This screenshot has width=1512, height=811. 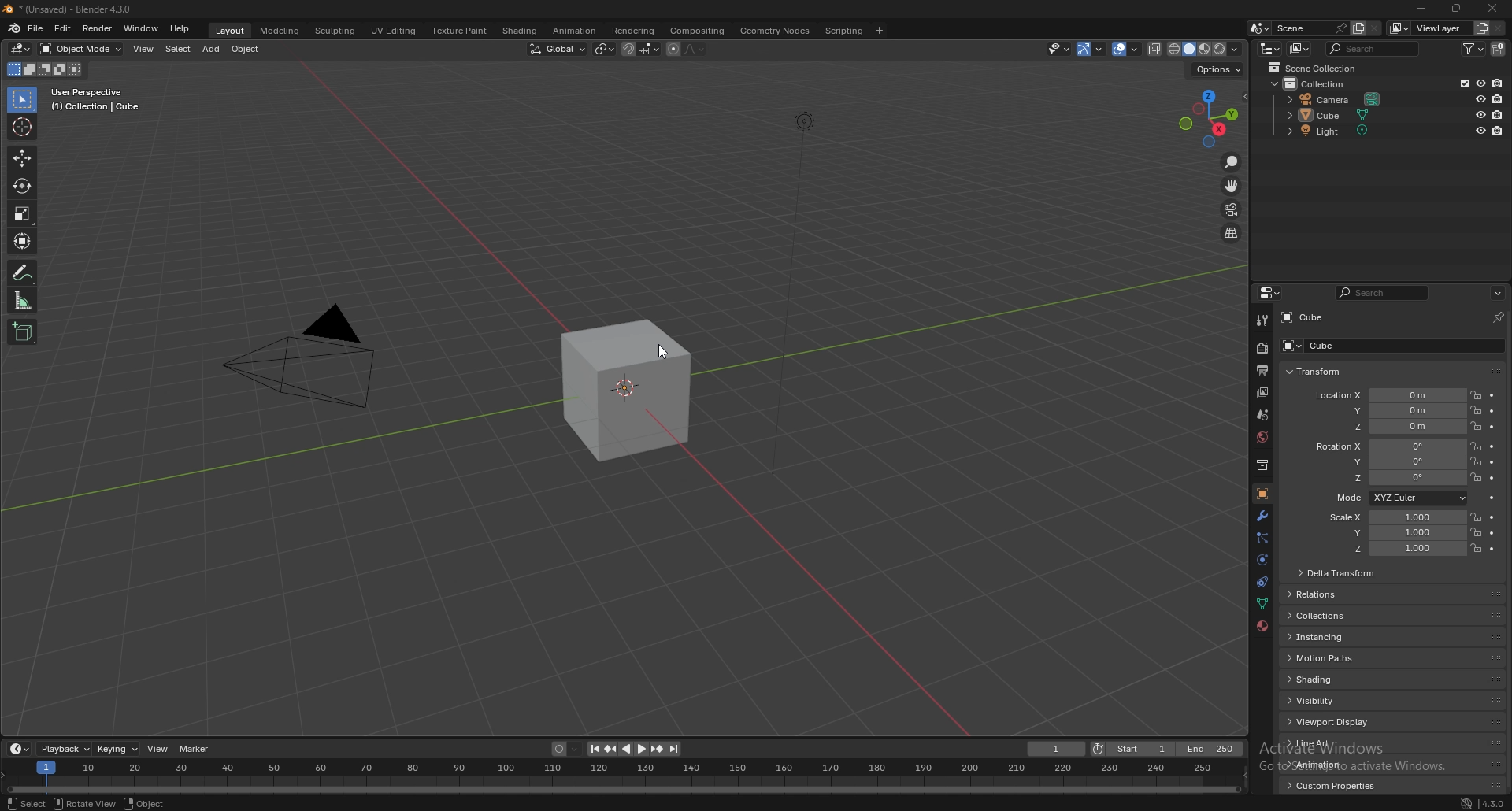 I want to click on options, so click(x=1498, y=292).